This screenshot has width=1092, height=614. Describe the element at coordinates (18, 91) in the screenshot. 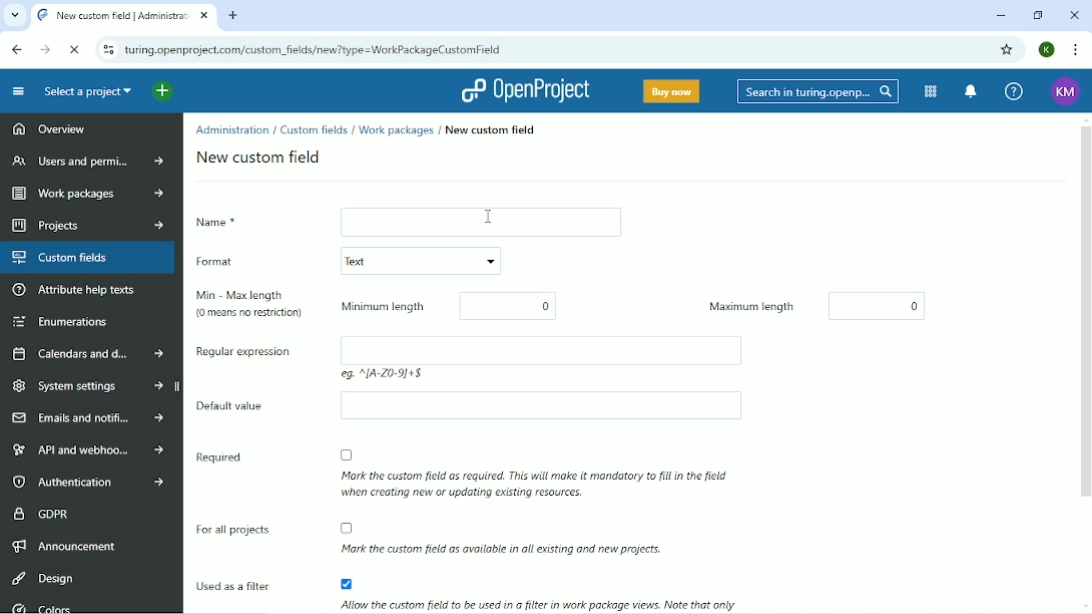

I see `Collapse project menu` at that location.